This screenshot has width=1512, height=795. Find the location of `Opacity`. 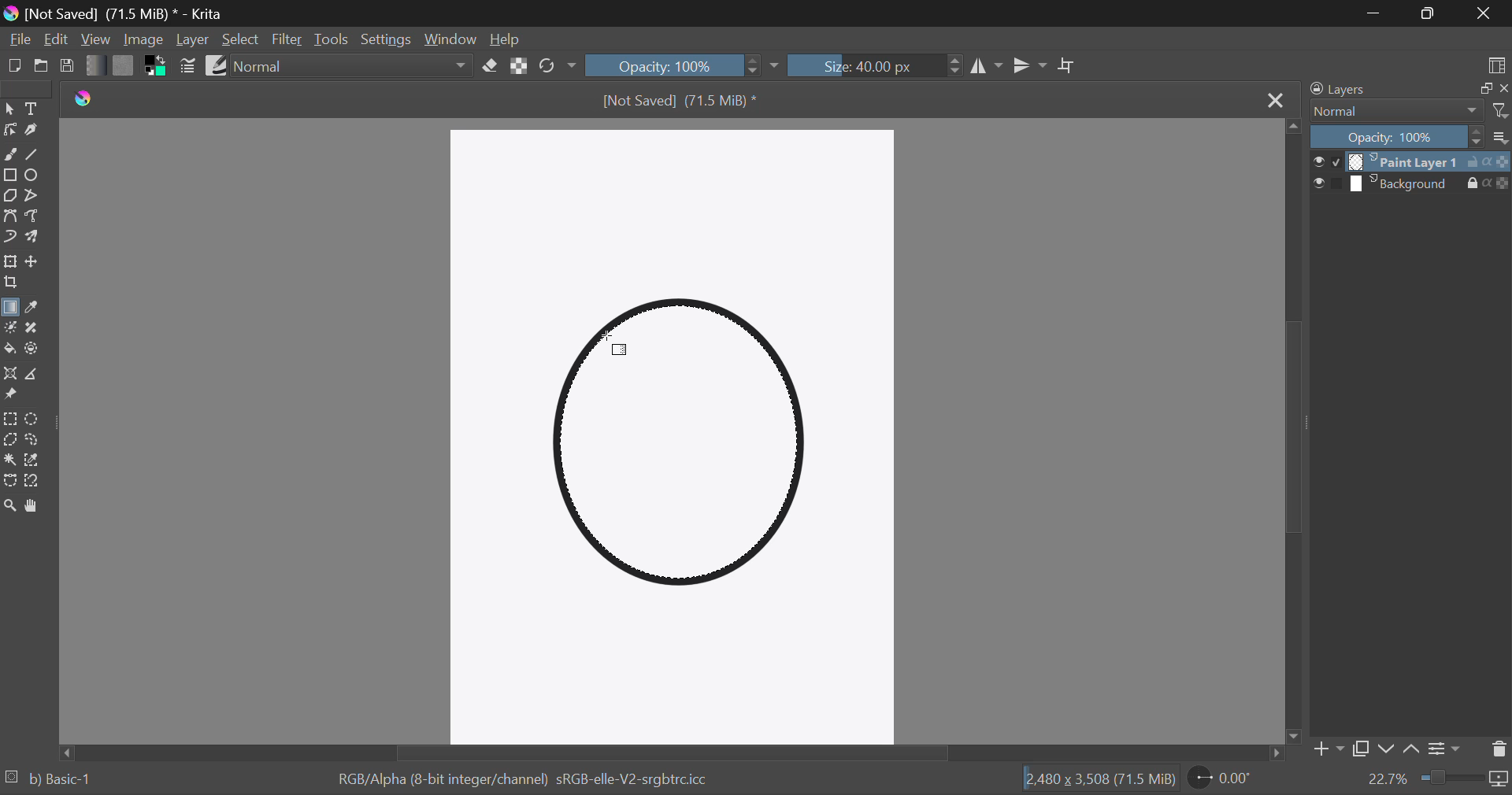

Opacity is located at coordinates (1395, 138).